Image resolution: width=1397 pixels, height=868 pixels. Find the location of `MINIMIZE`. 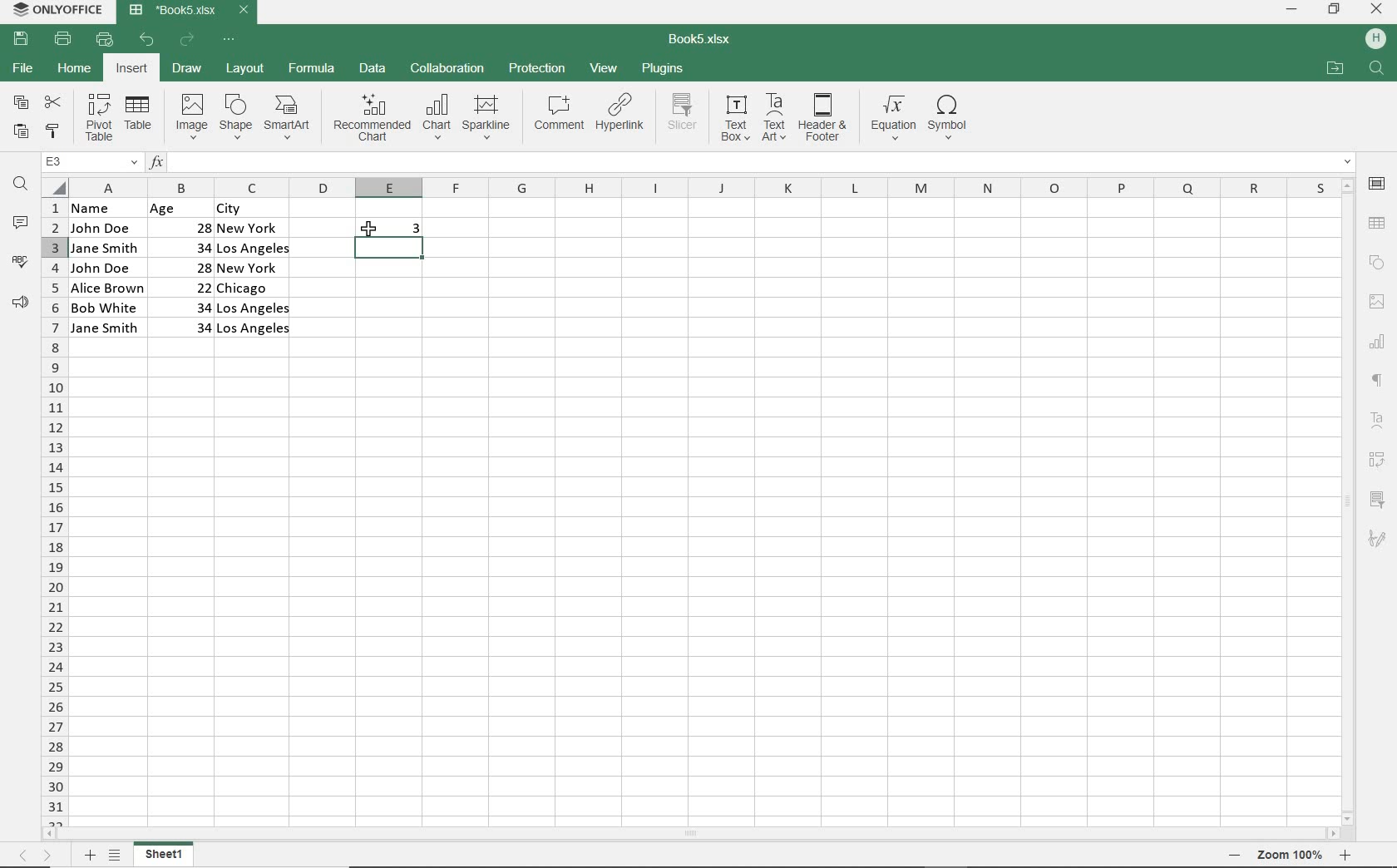

MINIMIZE is located at coordinates (1291, 10).